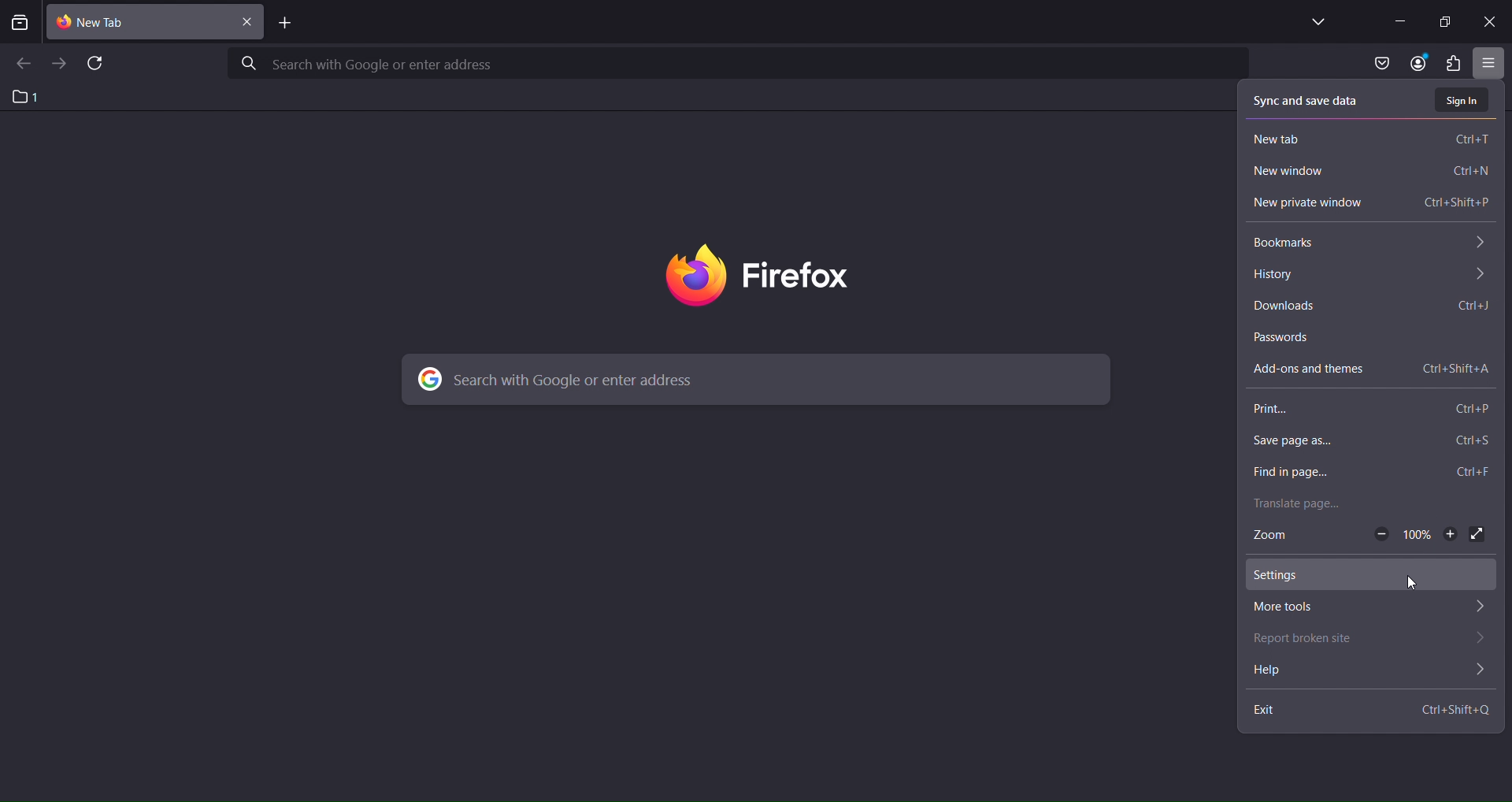 Image resolution: width=1512 pixels, height=802 pixels. I want to click on new tab, so click(1373, 138).